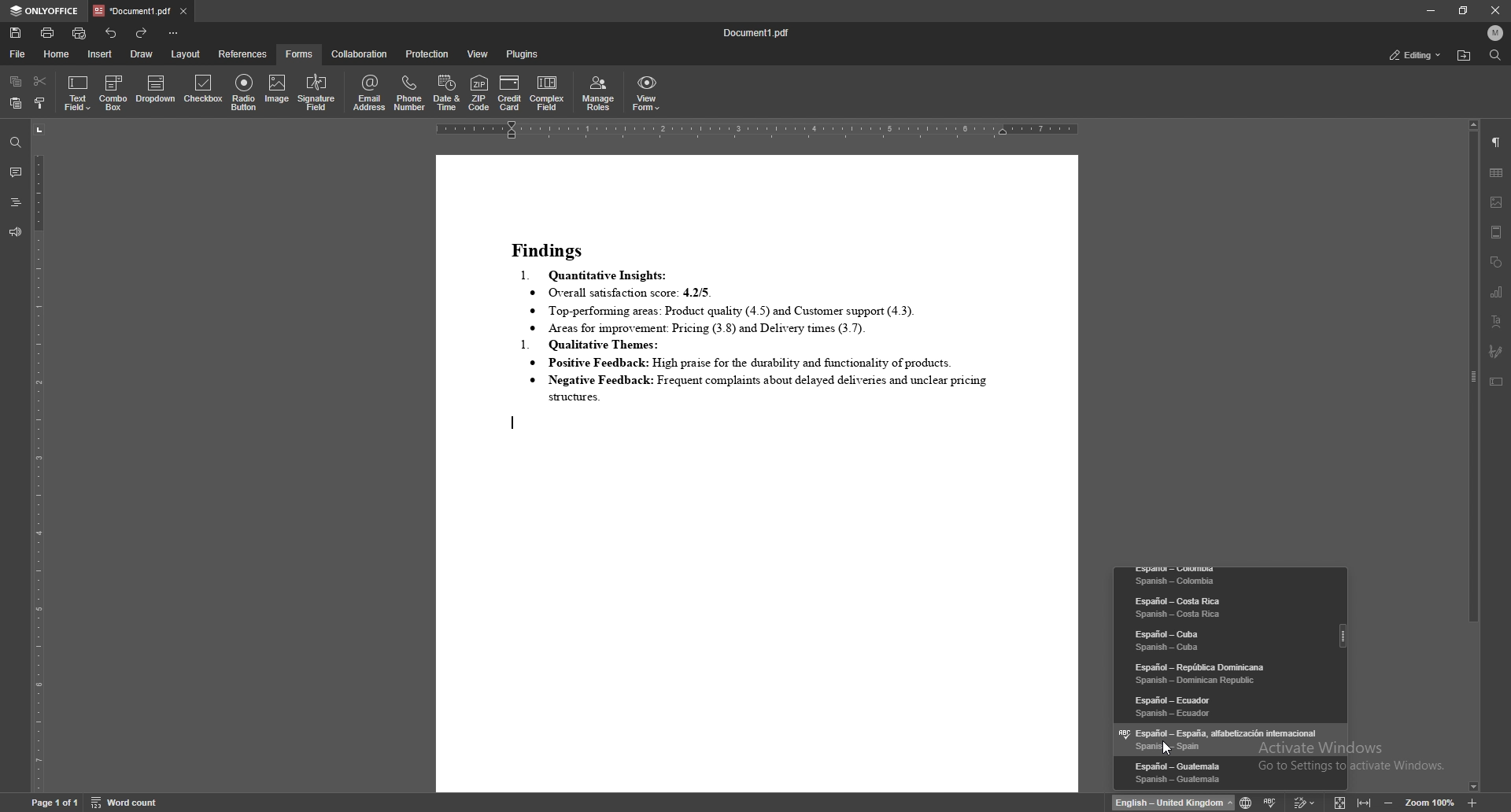  Describe the element at coordinates (156, 90) in the screenshot. I see `dropdown` at that location.